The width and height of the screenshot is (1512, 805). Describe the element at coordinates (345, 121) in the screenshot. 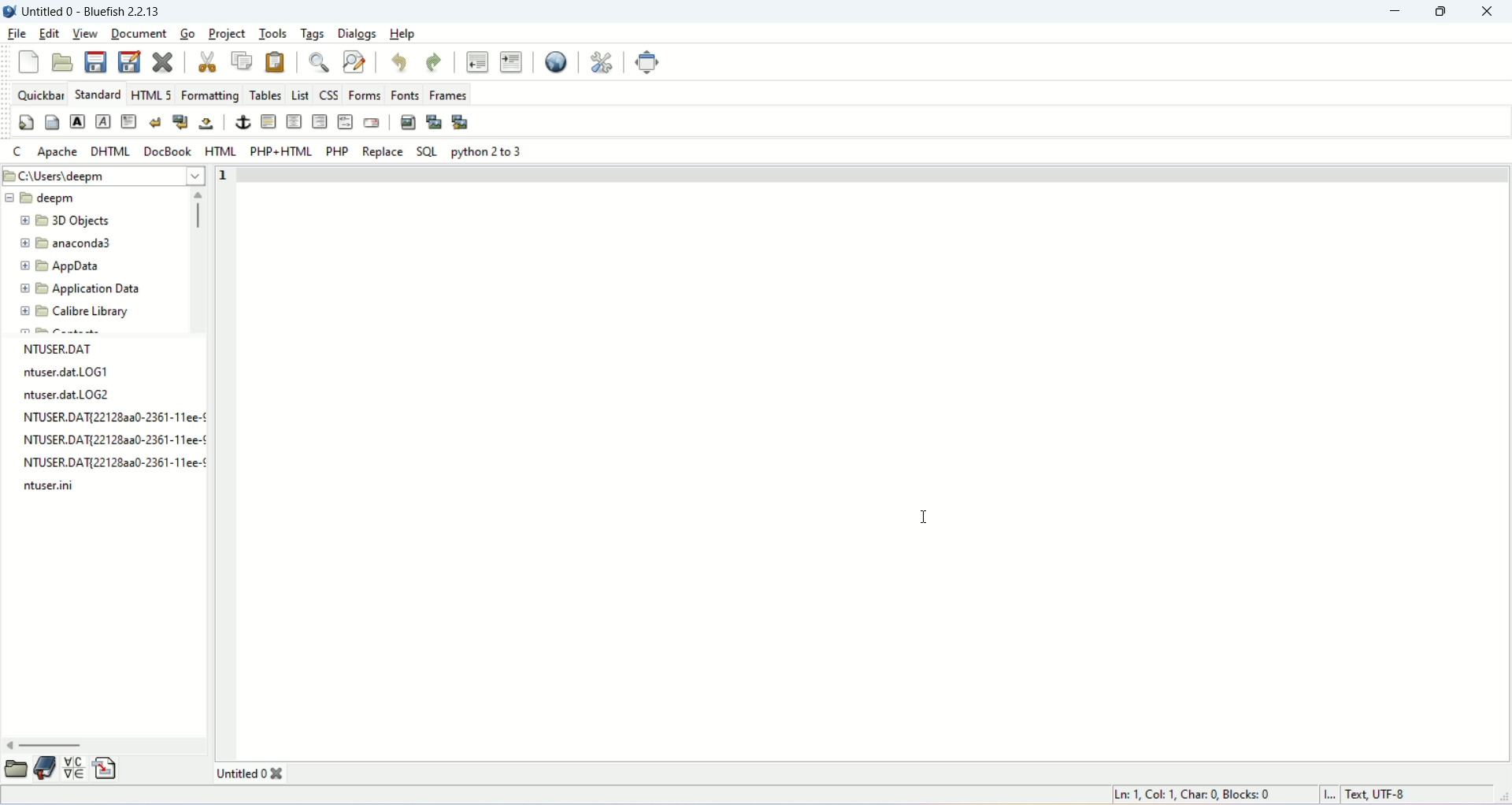

I see `HTML comment` at that location.